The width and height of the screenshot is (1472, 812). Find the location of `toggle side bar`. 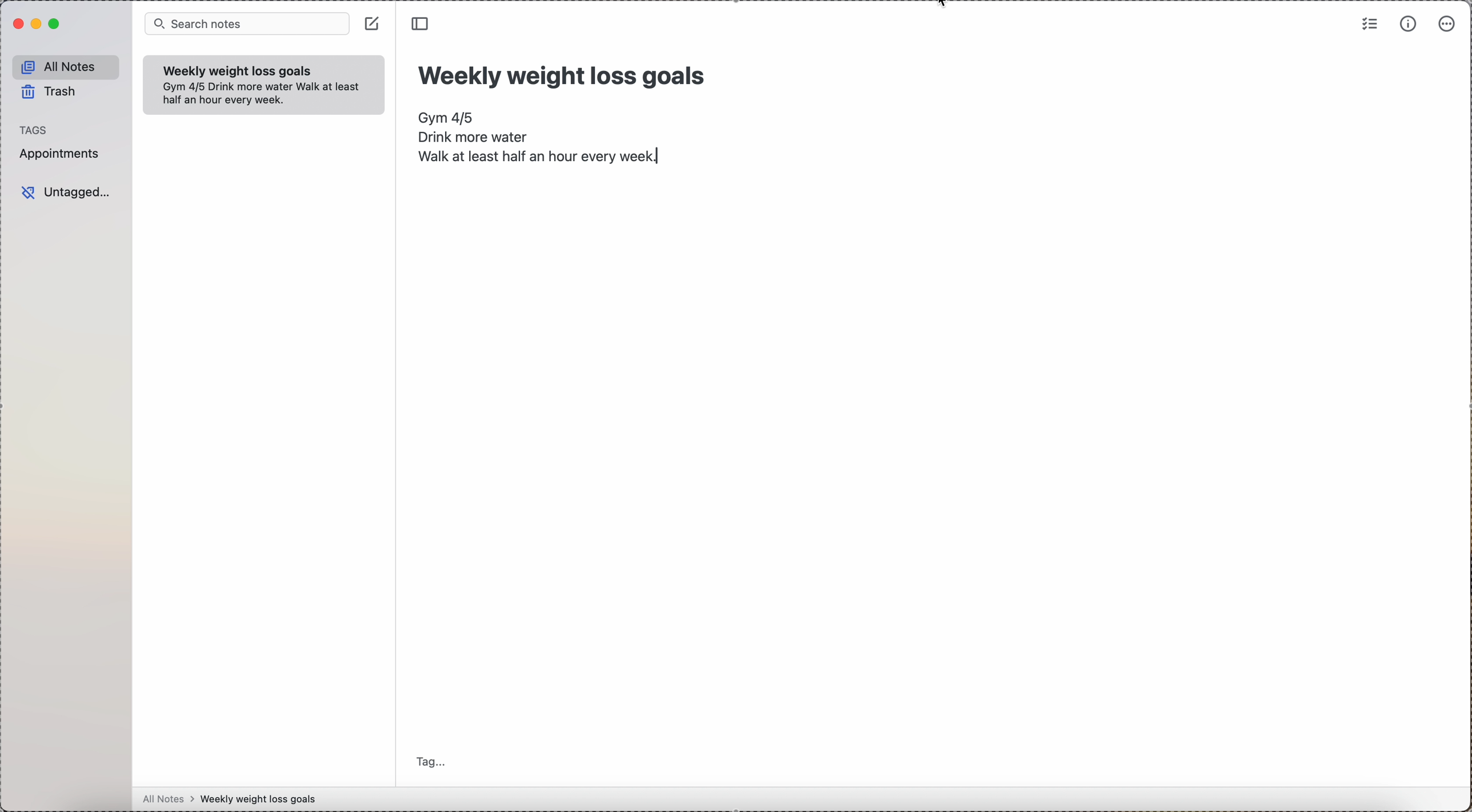

toggle side bar is located at coordinates (423, 24).